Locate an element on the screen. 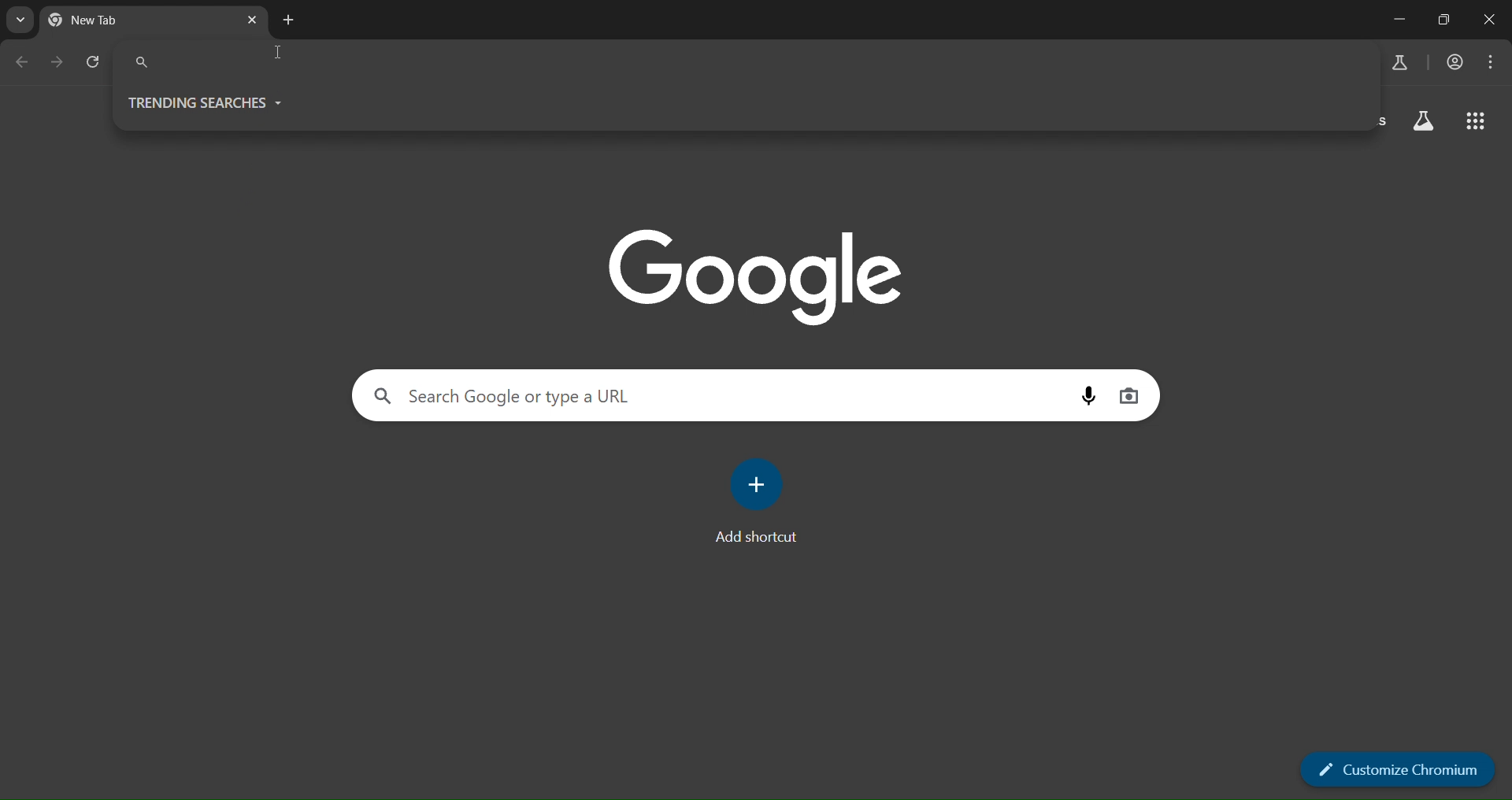  trending searches is located at coordinates (204, 103).